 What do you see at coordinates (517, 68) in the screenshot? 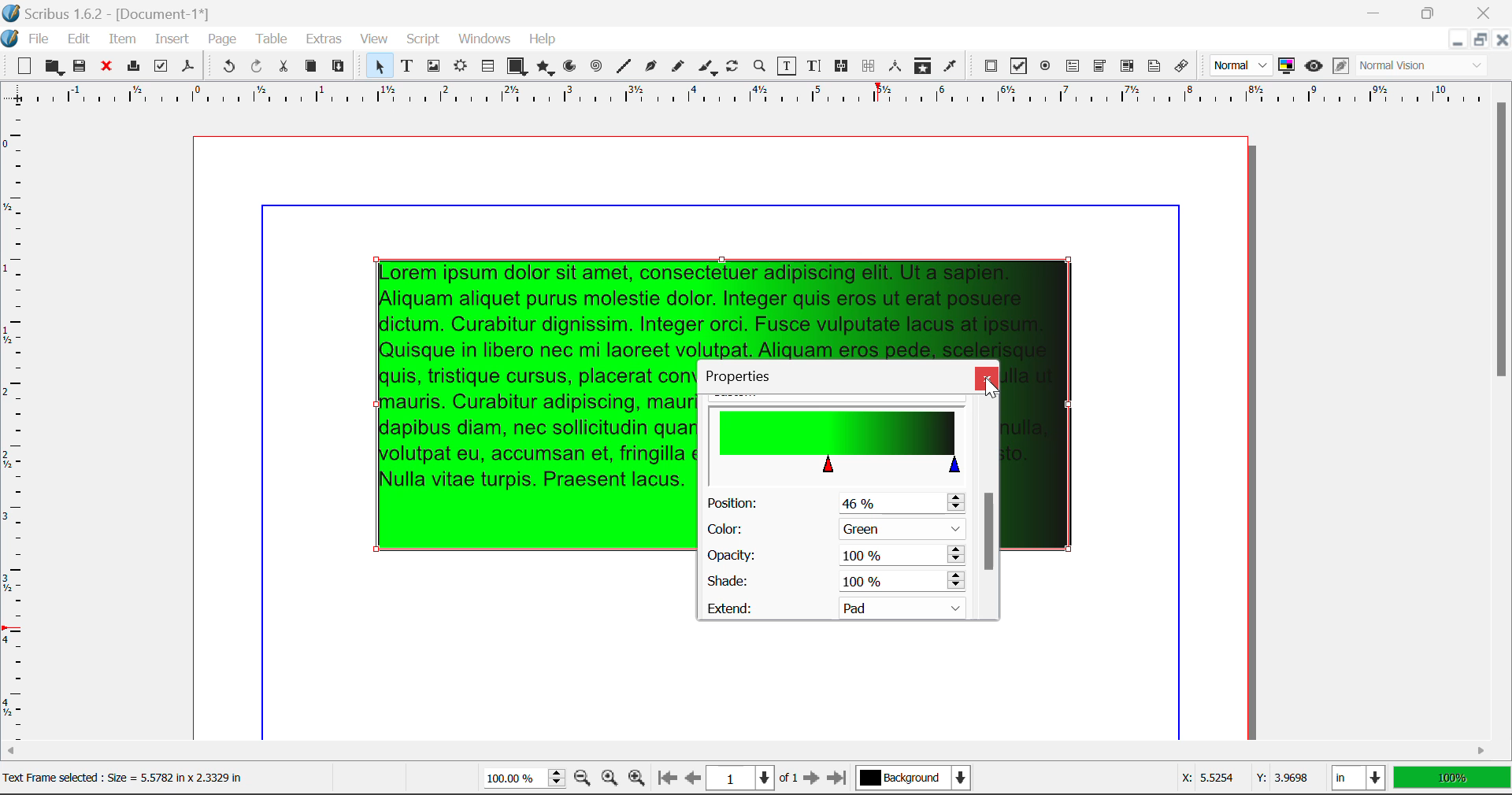
I see `Shapes` at bounding box center [517, 68].